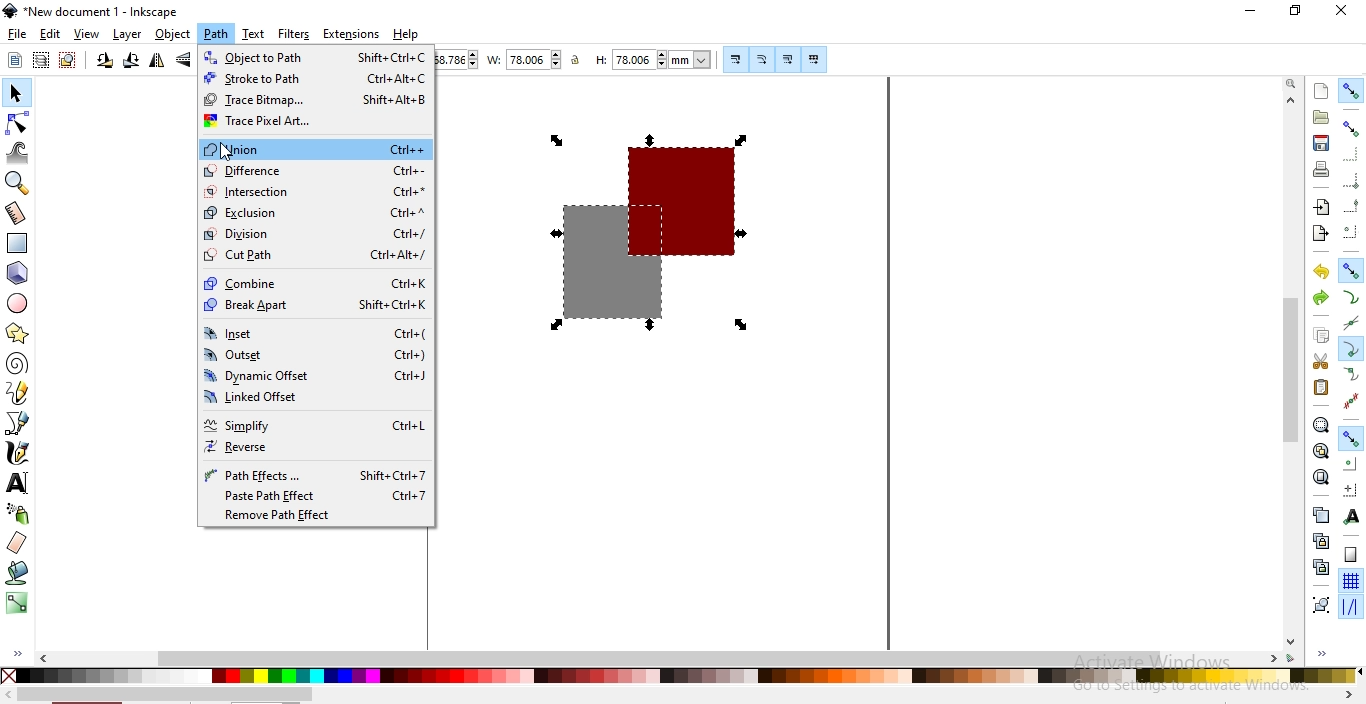 The height and width of the screenshot is (704, 1366). What do you see at coordinates (1351, 555) in the screenshot?
I see `snap to page border` at bounding box center [1351, 555].